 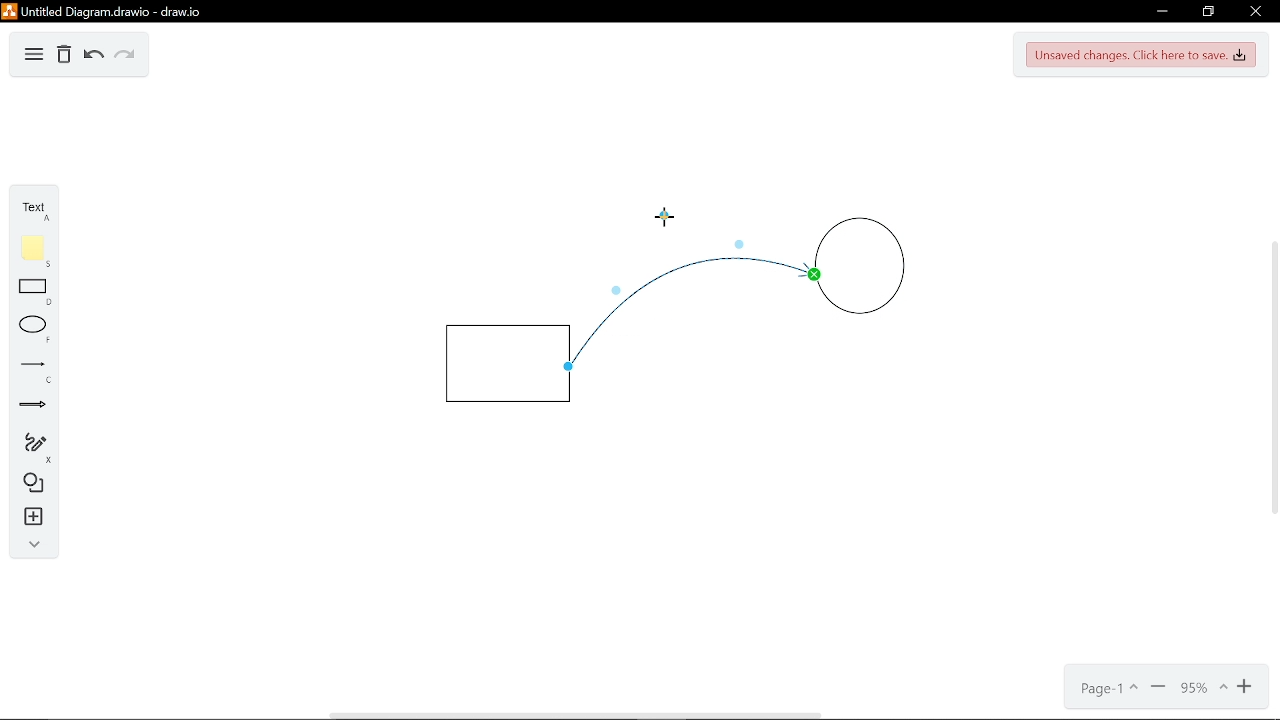 I want to click on Insert, so click(x=29, y=517).